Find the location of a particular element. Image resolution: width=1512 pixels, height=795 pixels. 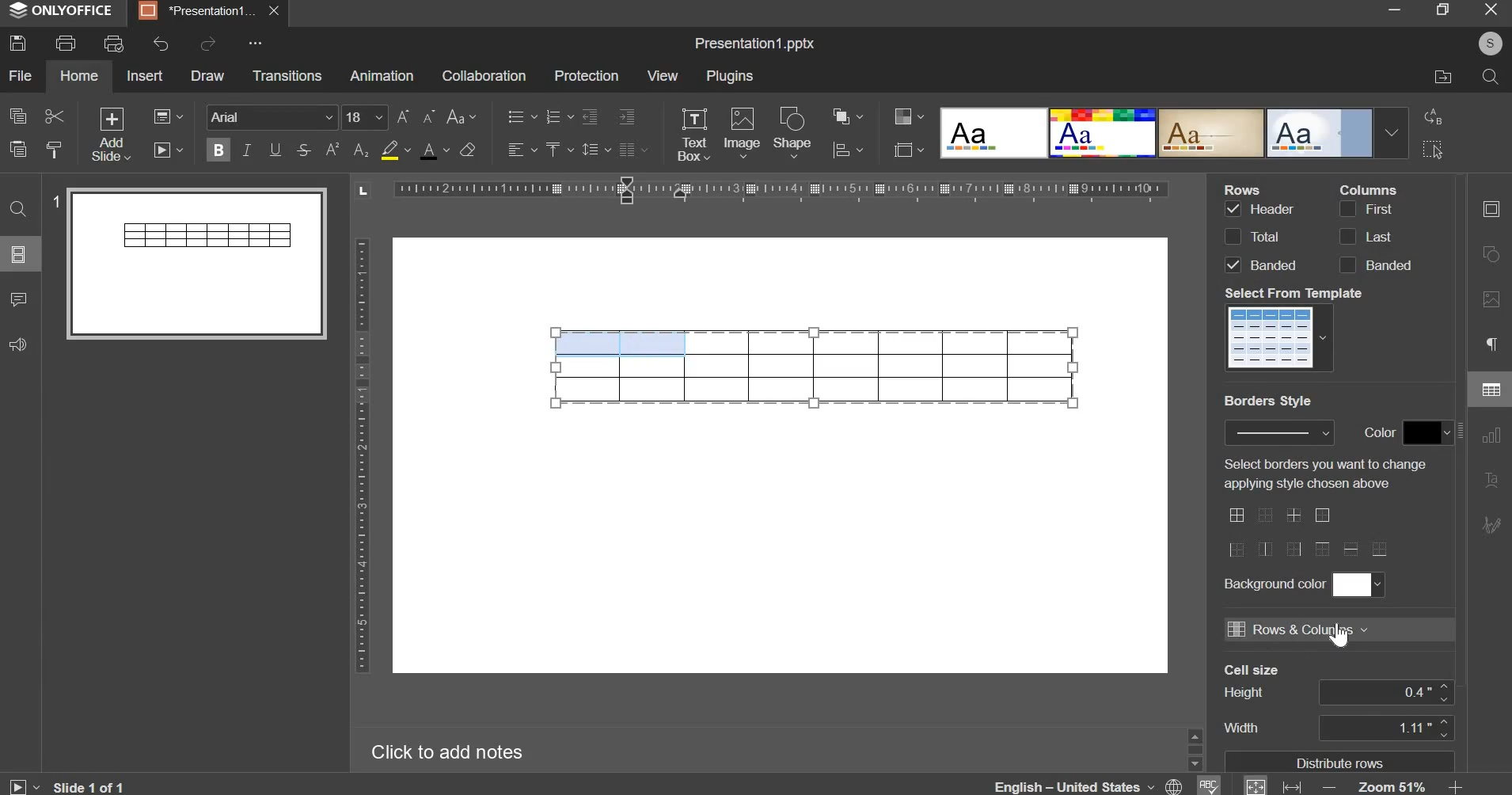

increase indent is located at coordinates (628, 116).